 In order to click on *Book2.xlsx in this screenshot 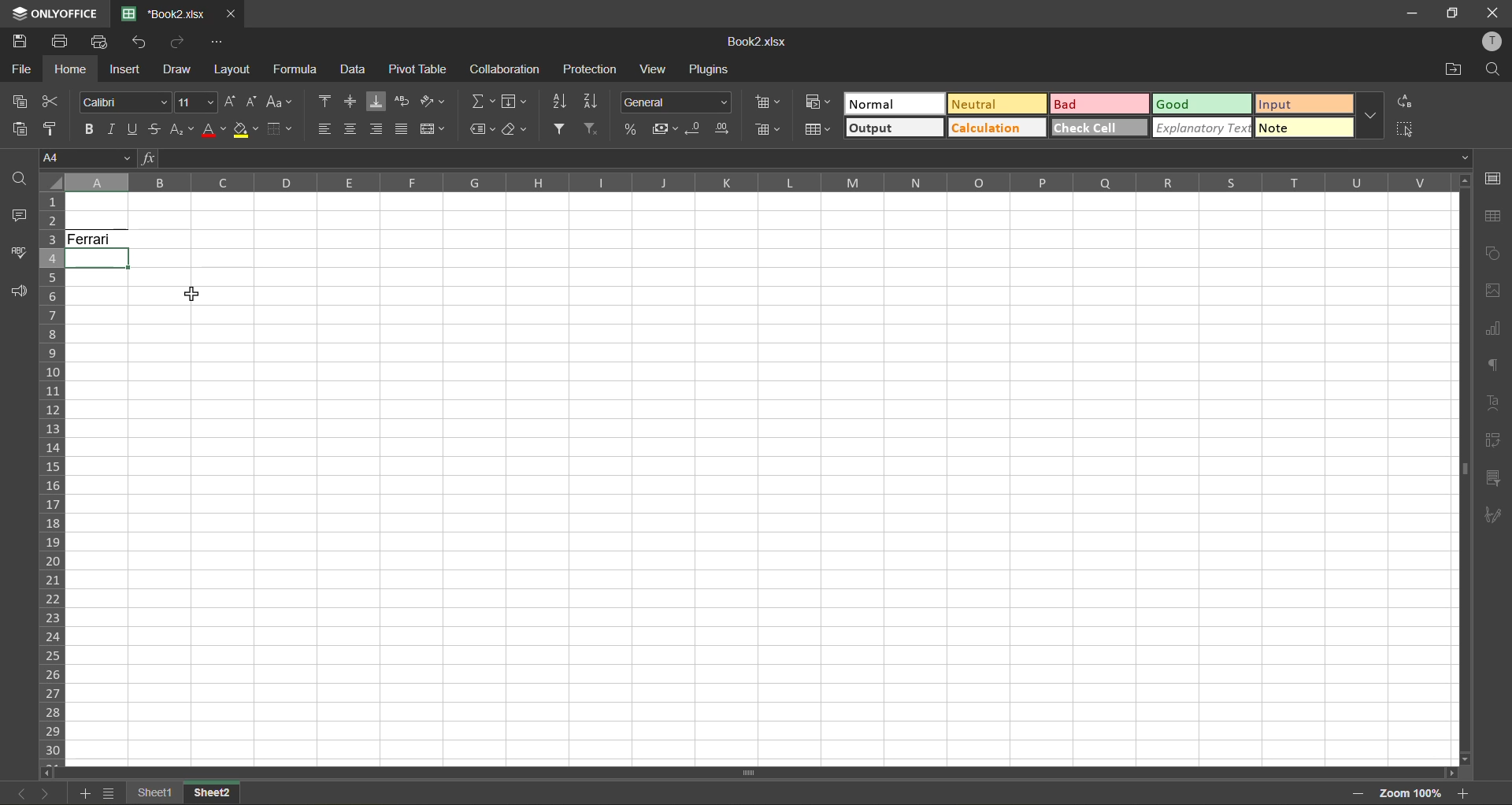, I will do `click(166, 13)`.